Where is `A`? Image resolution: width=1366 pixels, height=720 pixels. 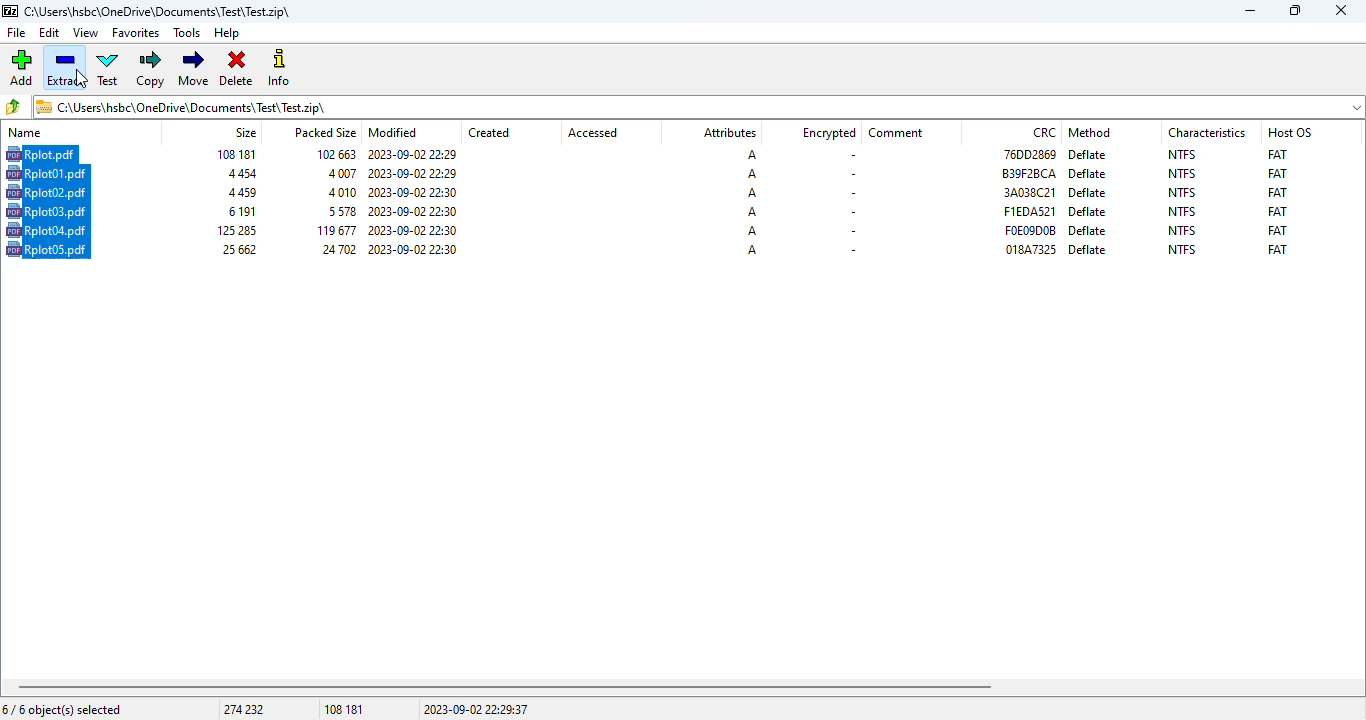
A is located at coordinates (753, 230).